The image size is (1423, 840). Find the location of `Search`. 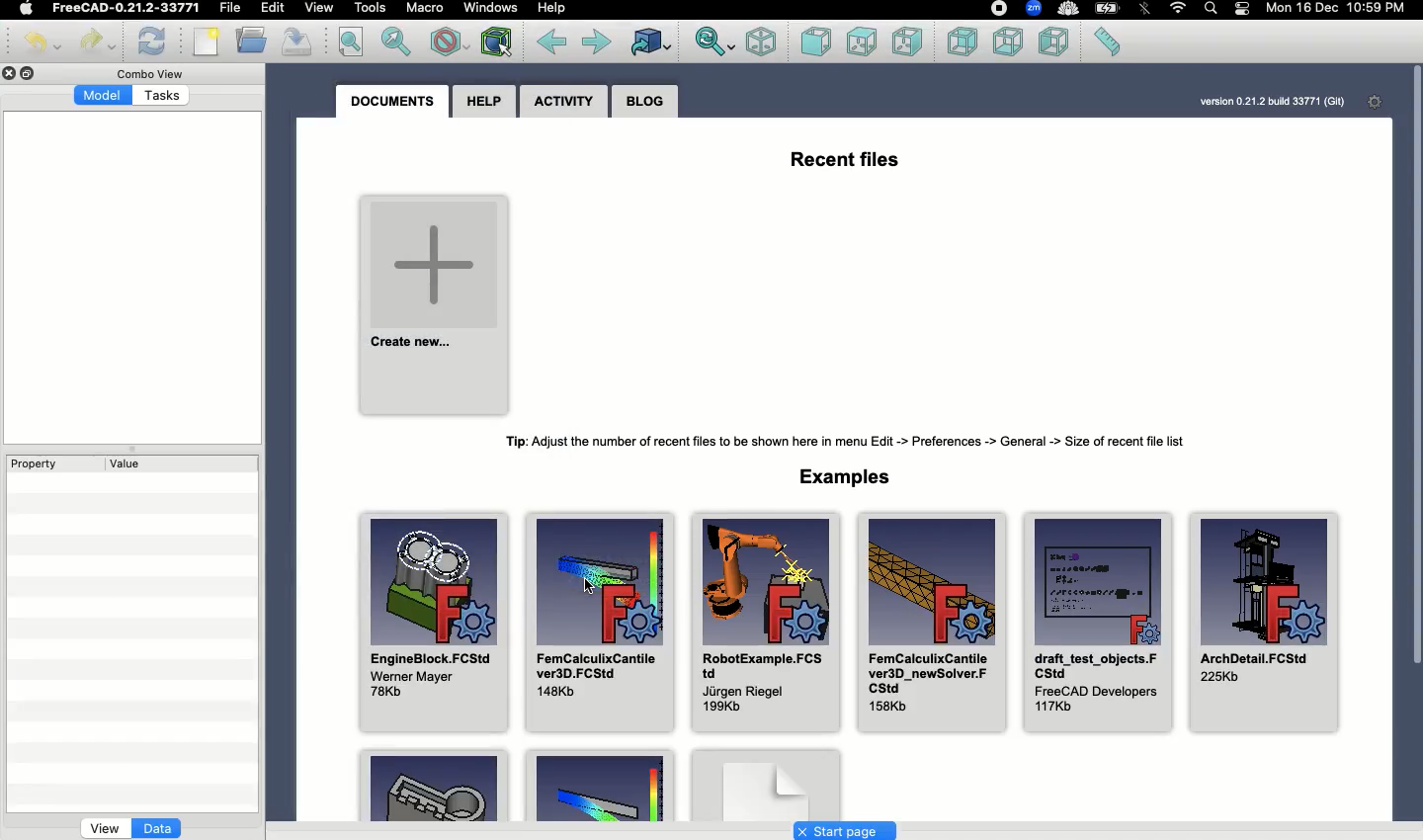

Search is located at coordinates (1210, 10).